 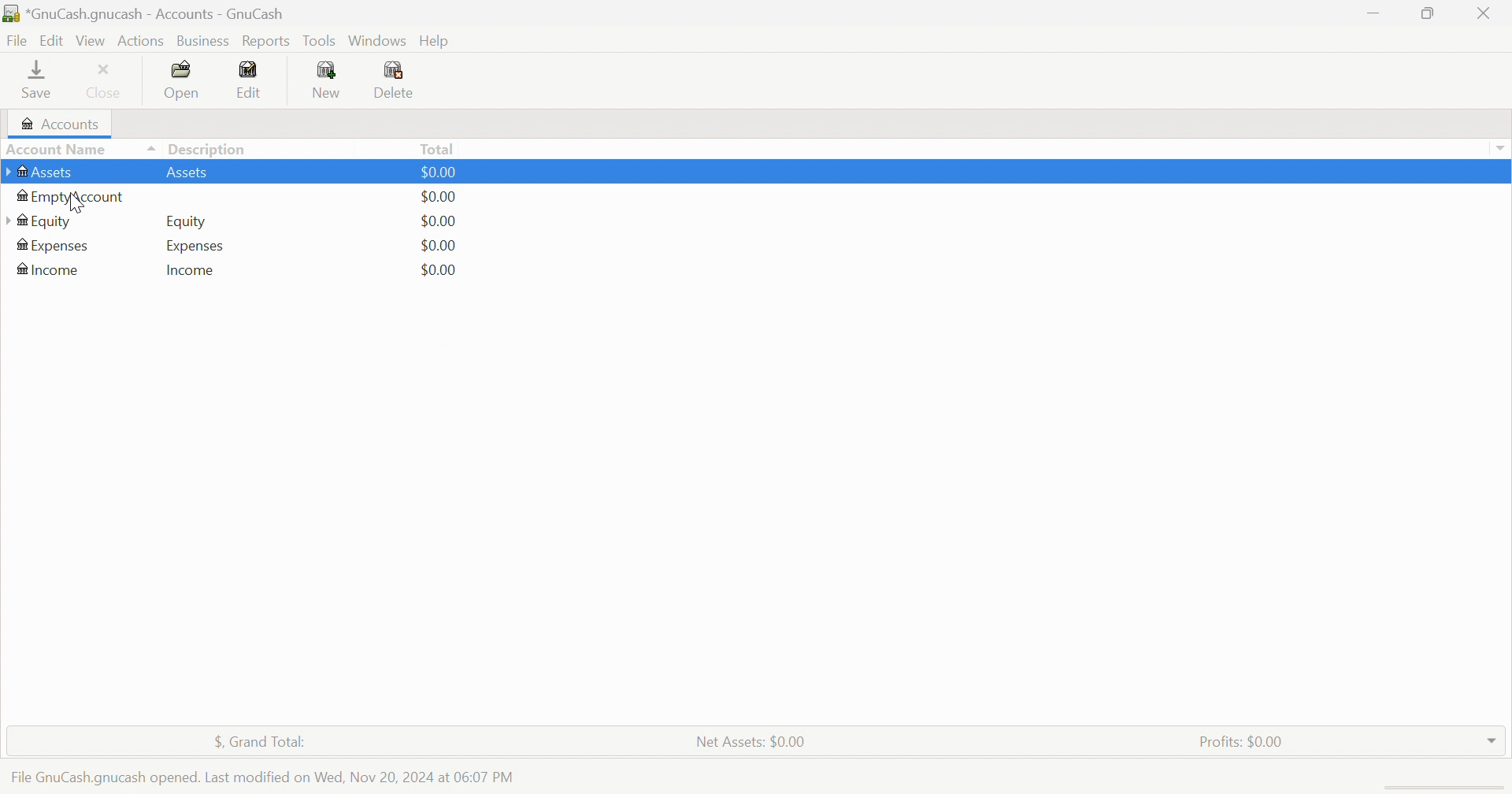 What do you see at coordinates (187, 173) in the screenshot?
I see `Assets` at bounding box center [187, 173].